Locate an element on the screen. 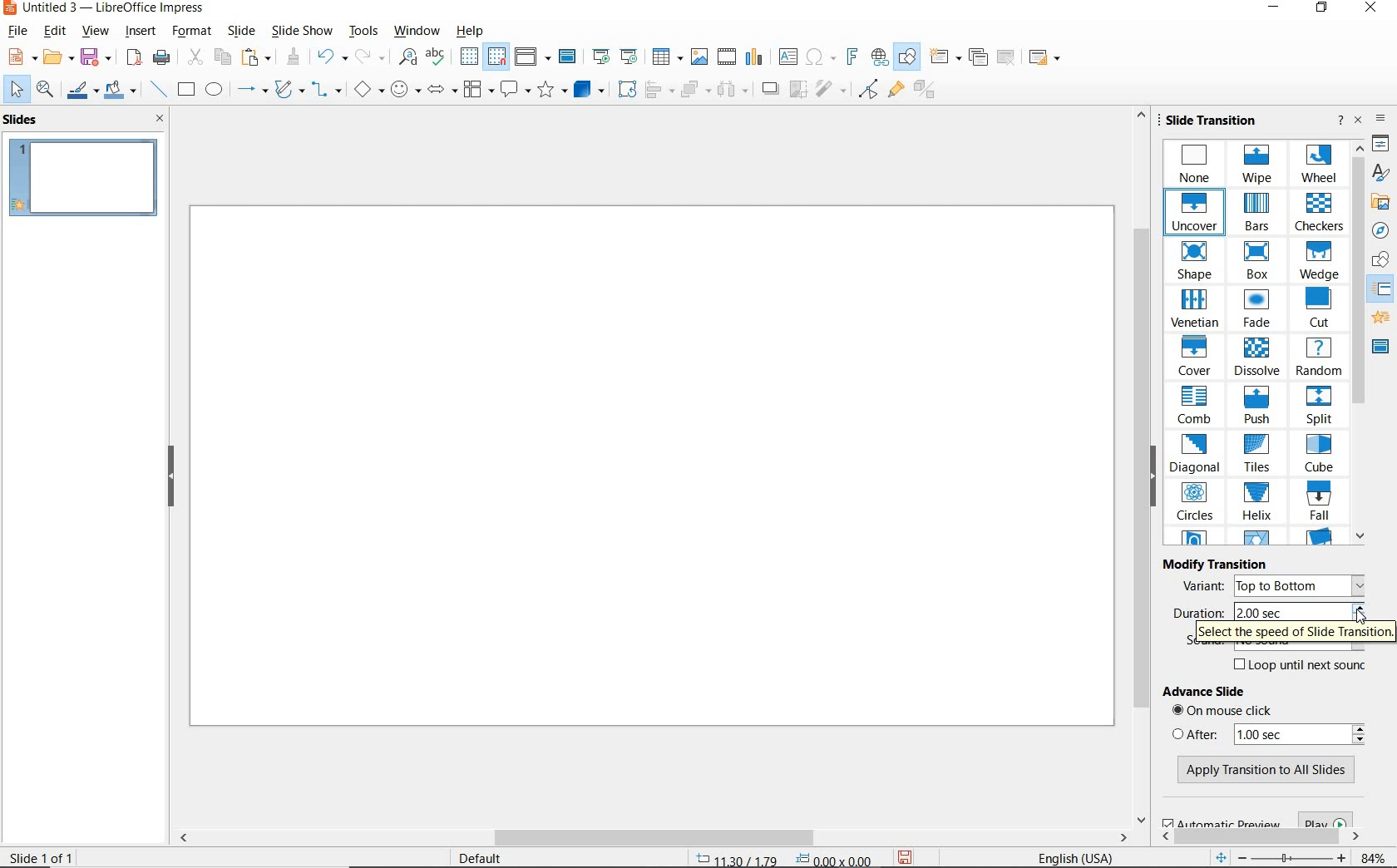 This screenshot has width=1397, height=868. PROPERTIES is located at coordinates (1382, 144).